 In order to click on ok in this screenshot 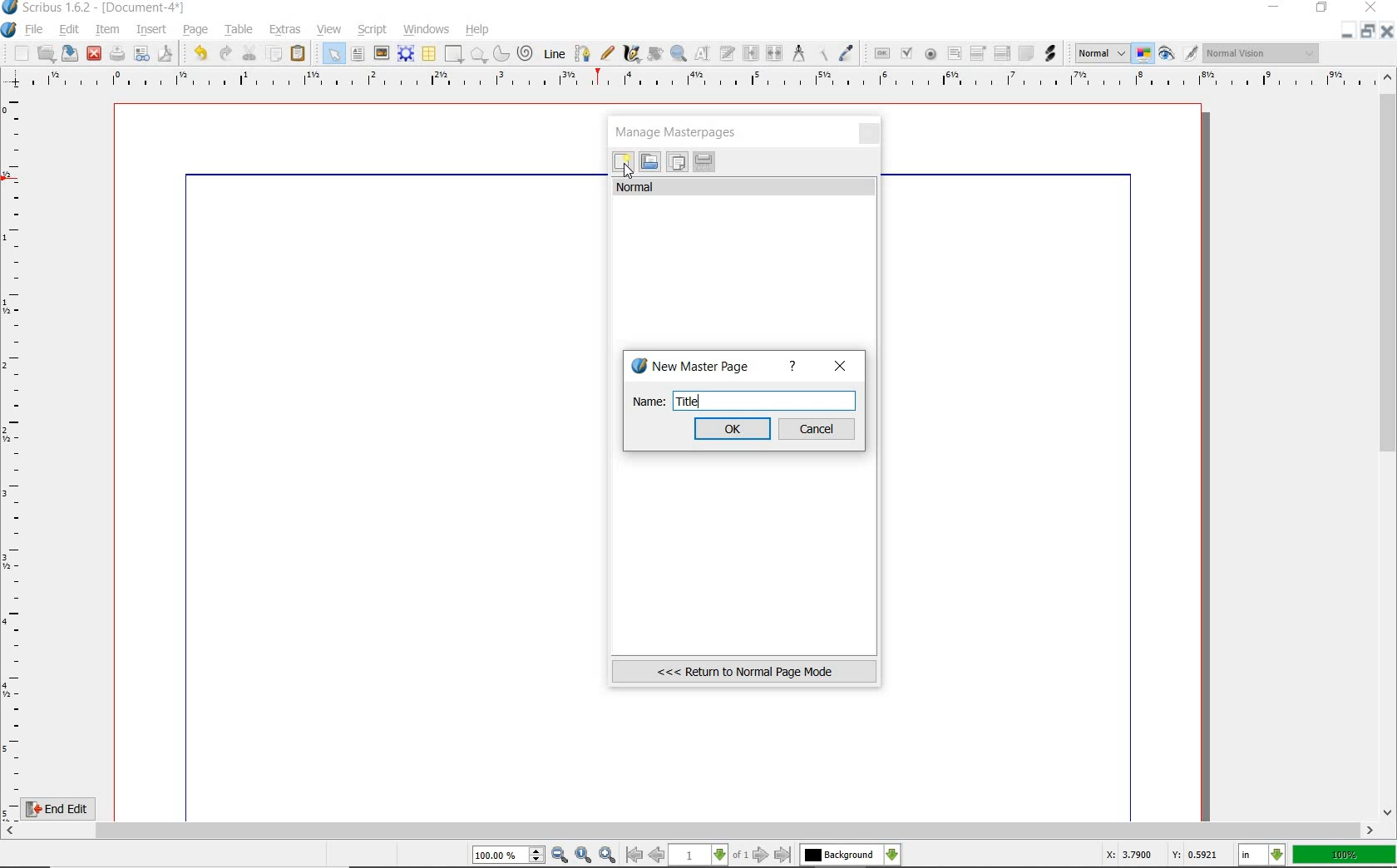, I will do `click(733, 428)`.